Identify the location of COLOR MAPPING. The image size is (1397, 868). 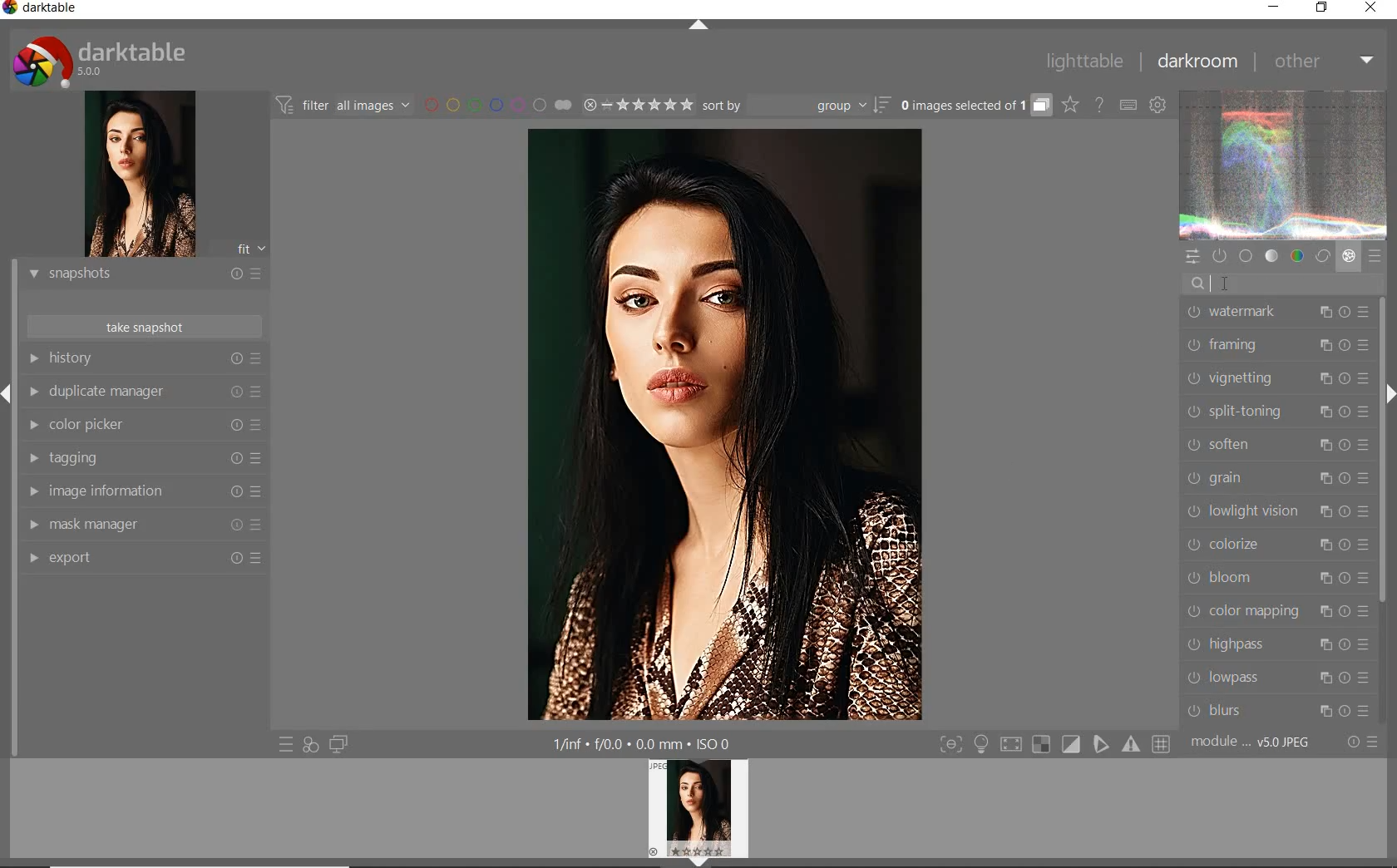
(1276, 611).